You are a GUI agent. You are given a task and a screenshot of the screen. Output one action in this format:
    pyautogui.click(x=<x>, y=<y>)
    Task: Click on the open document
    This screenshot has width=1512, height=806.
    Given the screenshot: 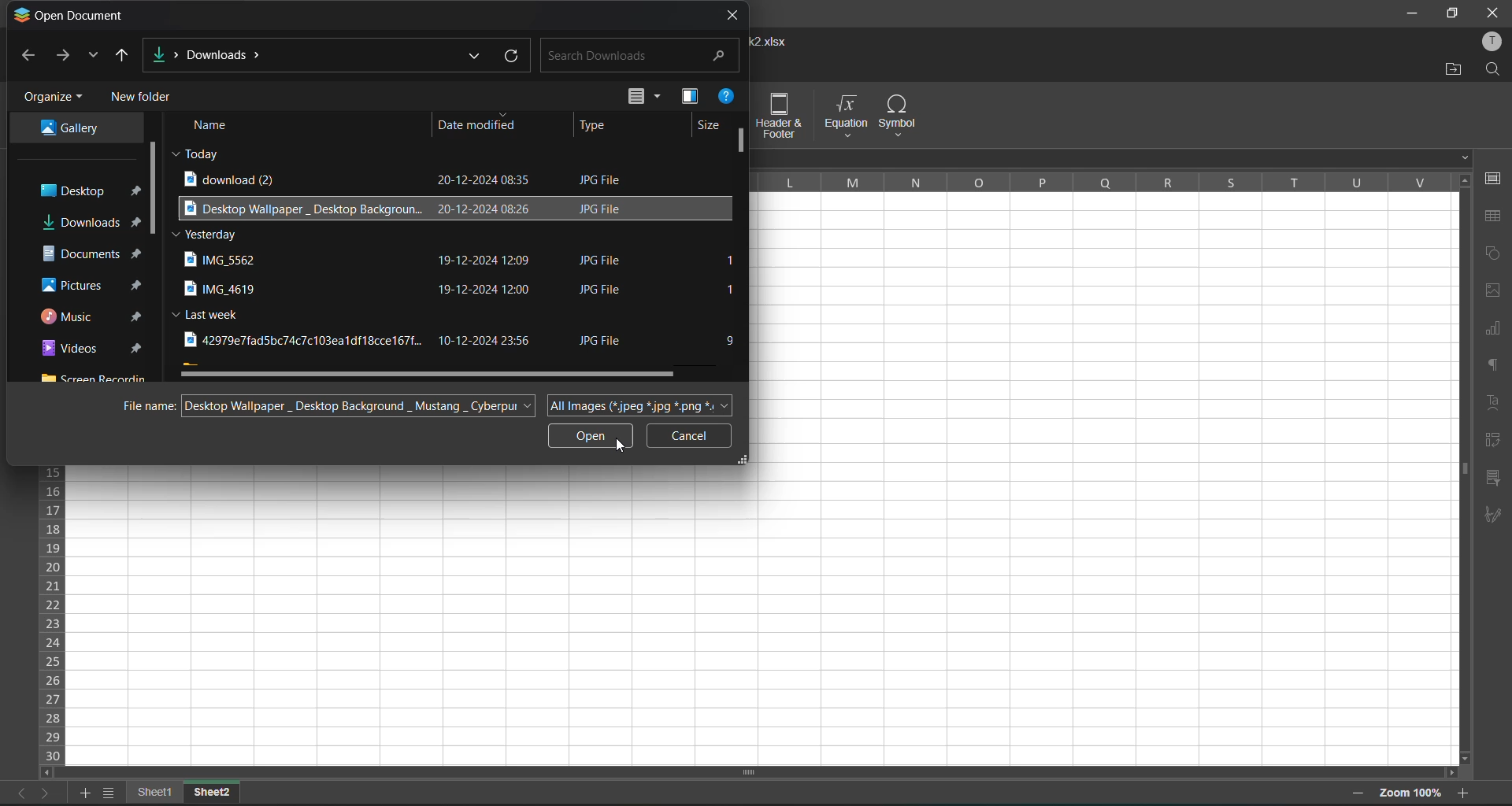 What is the action you would take?
    pyautogui.click(x=70, y=15)
    